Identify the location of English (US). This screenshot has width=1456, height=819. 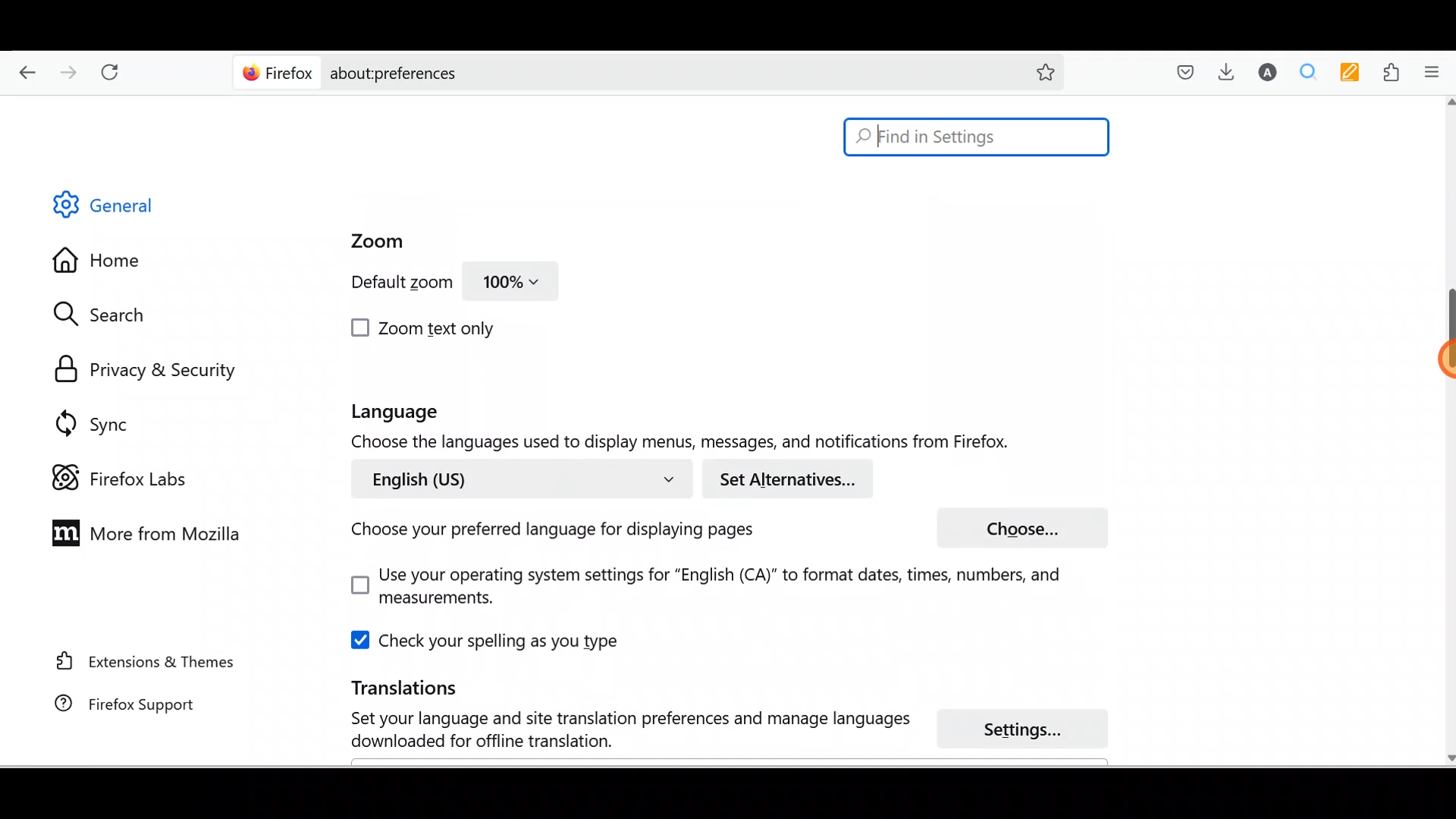
(518, 478).